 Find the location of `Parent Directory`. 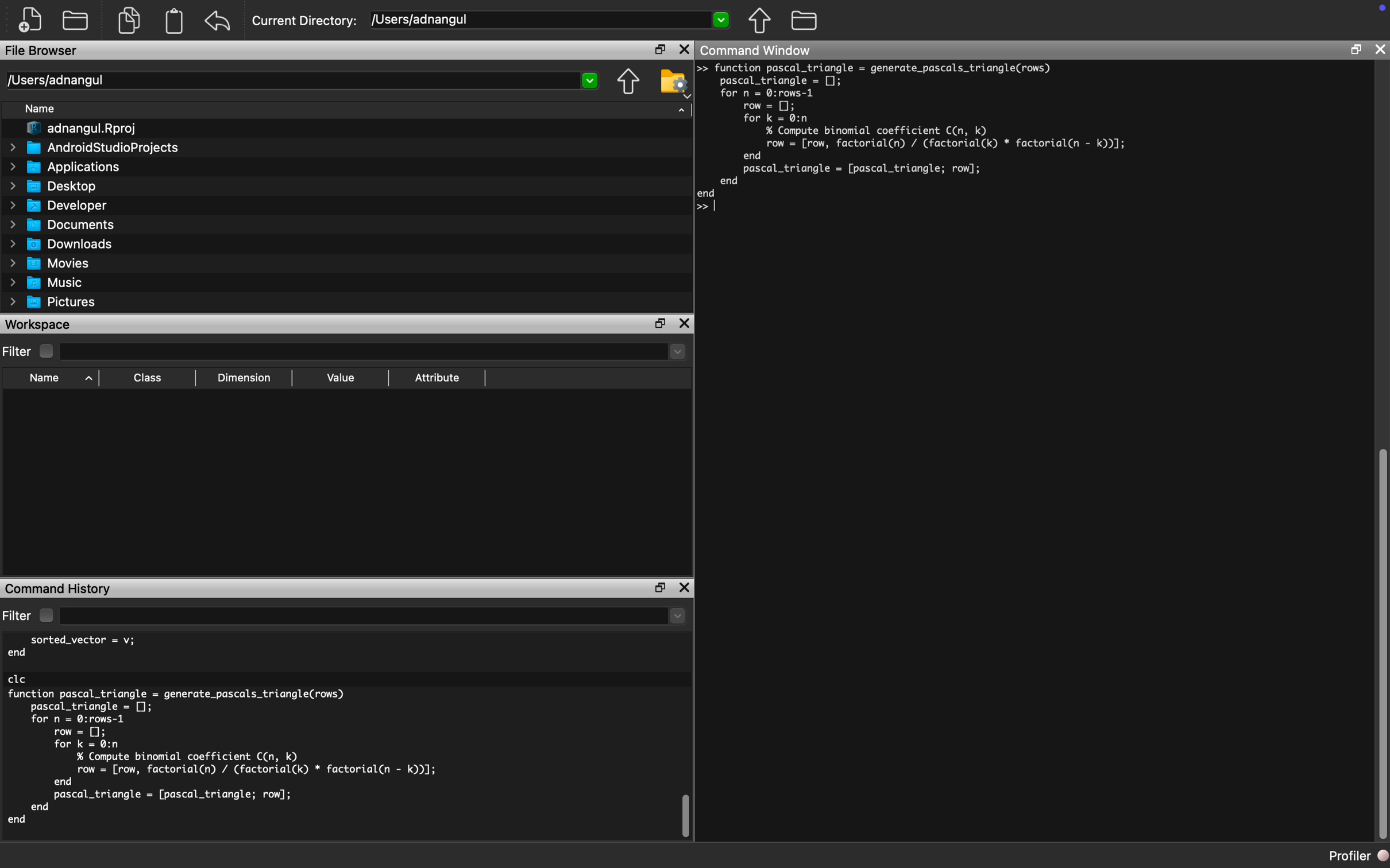

Parent Directory is located at coordinates (760, 21).